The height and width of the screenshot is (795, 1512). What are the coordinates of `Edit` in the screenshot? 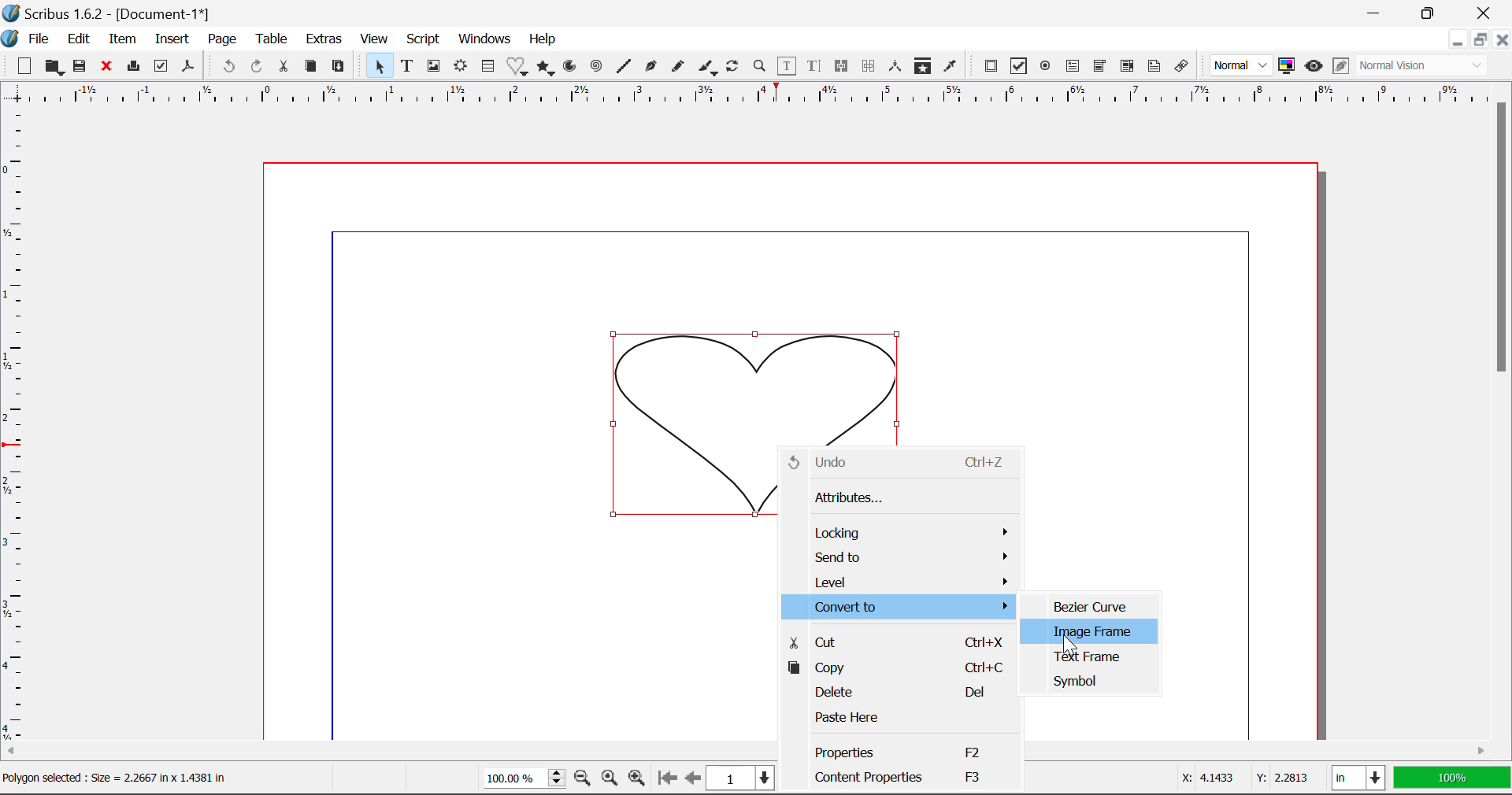 It's located at (79, 39).